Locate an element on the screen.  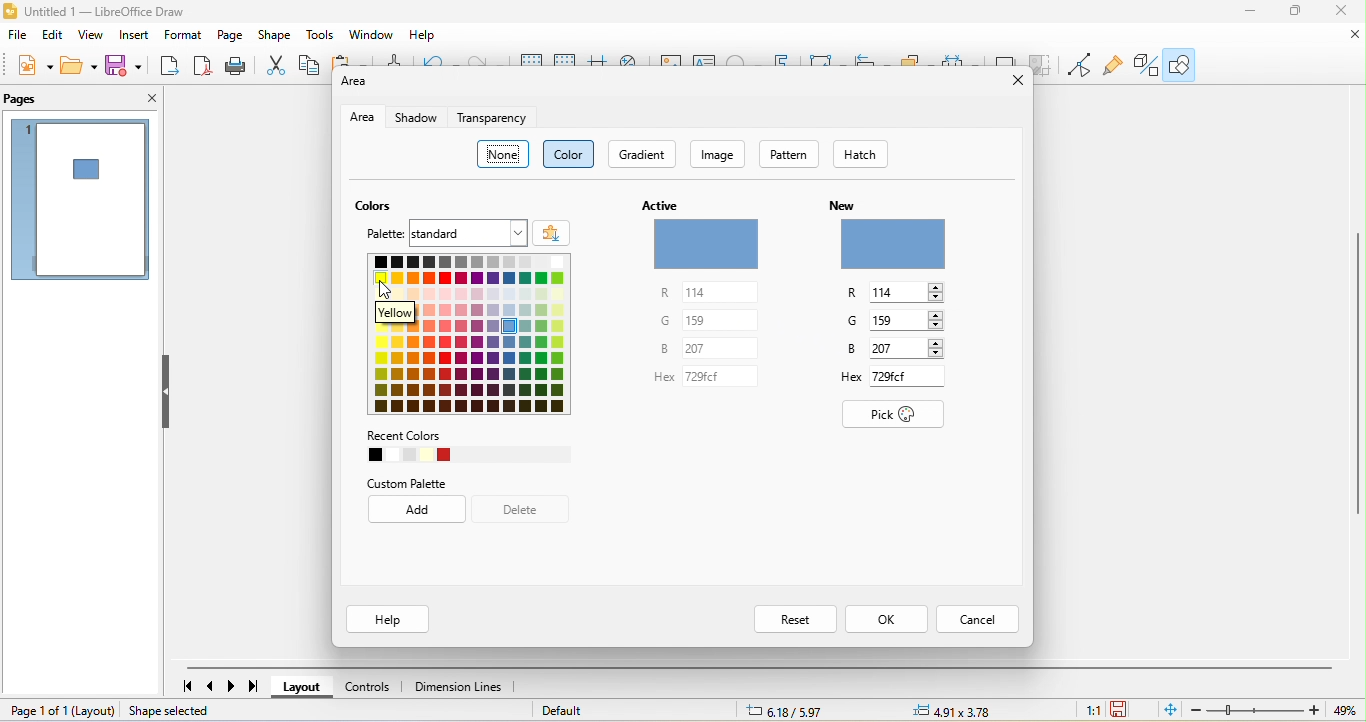
toggle point edit mode is located at coordinates (1081, 67).